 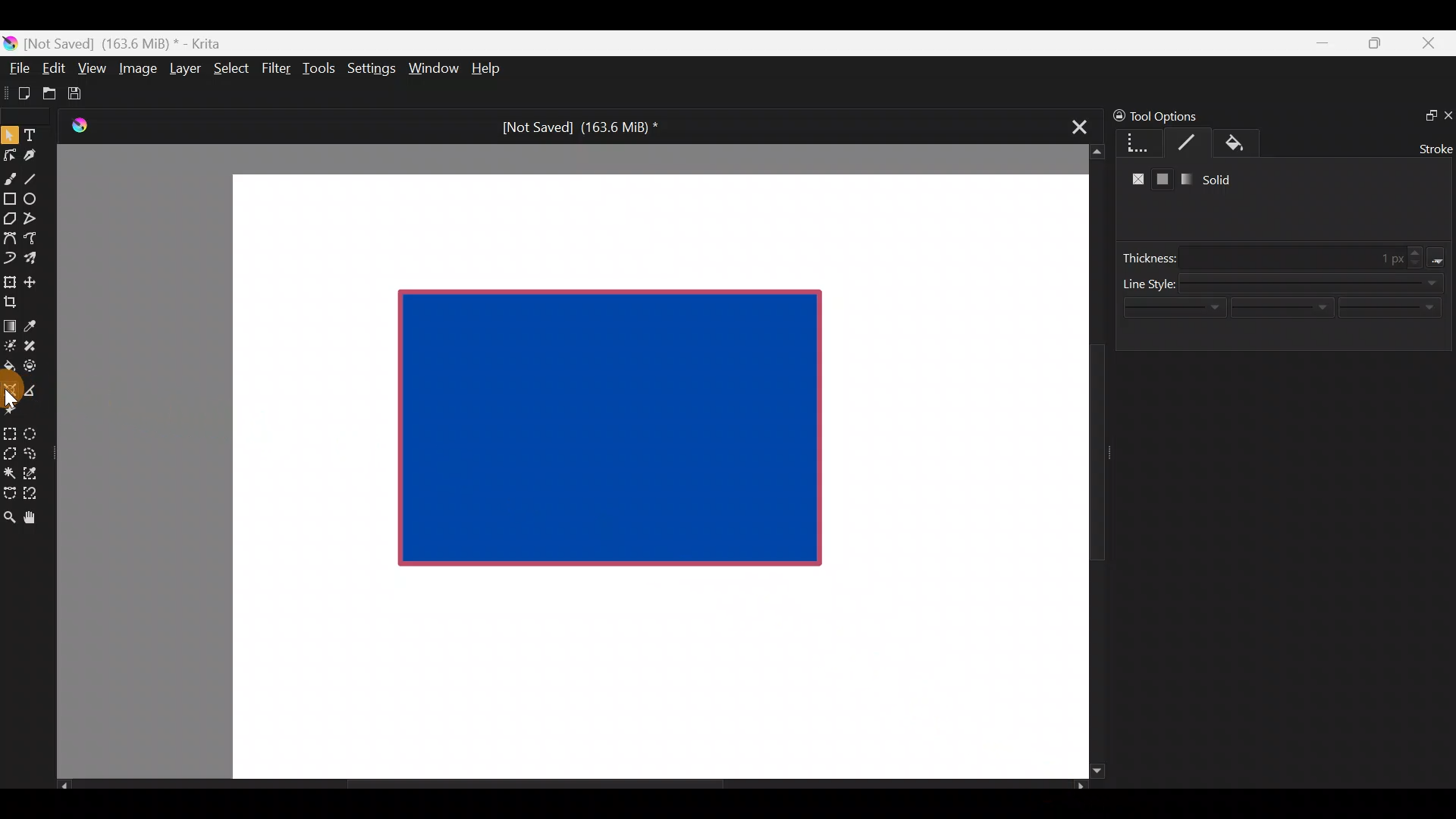 I want to click on Open an existing document, so click(x=50, y=96).